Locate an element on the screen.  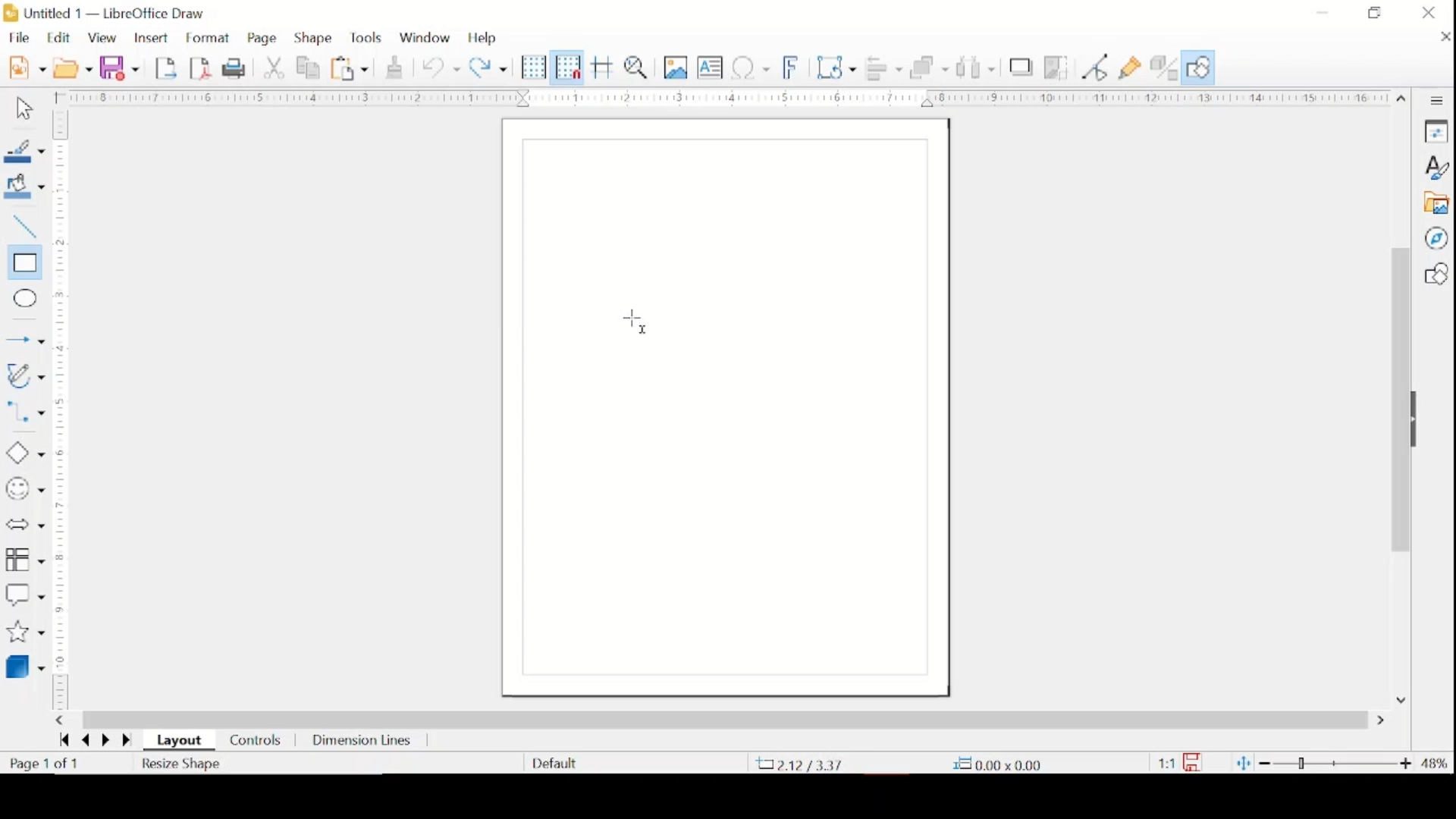
select is located at coordinates (22, 109).